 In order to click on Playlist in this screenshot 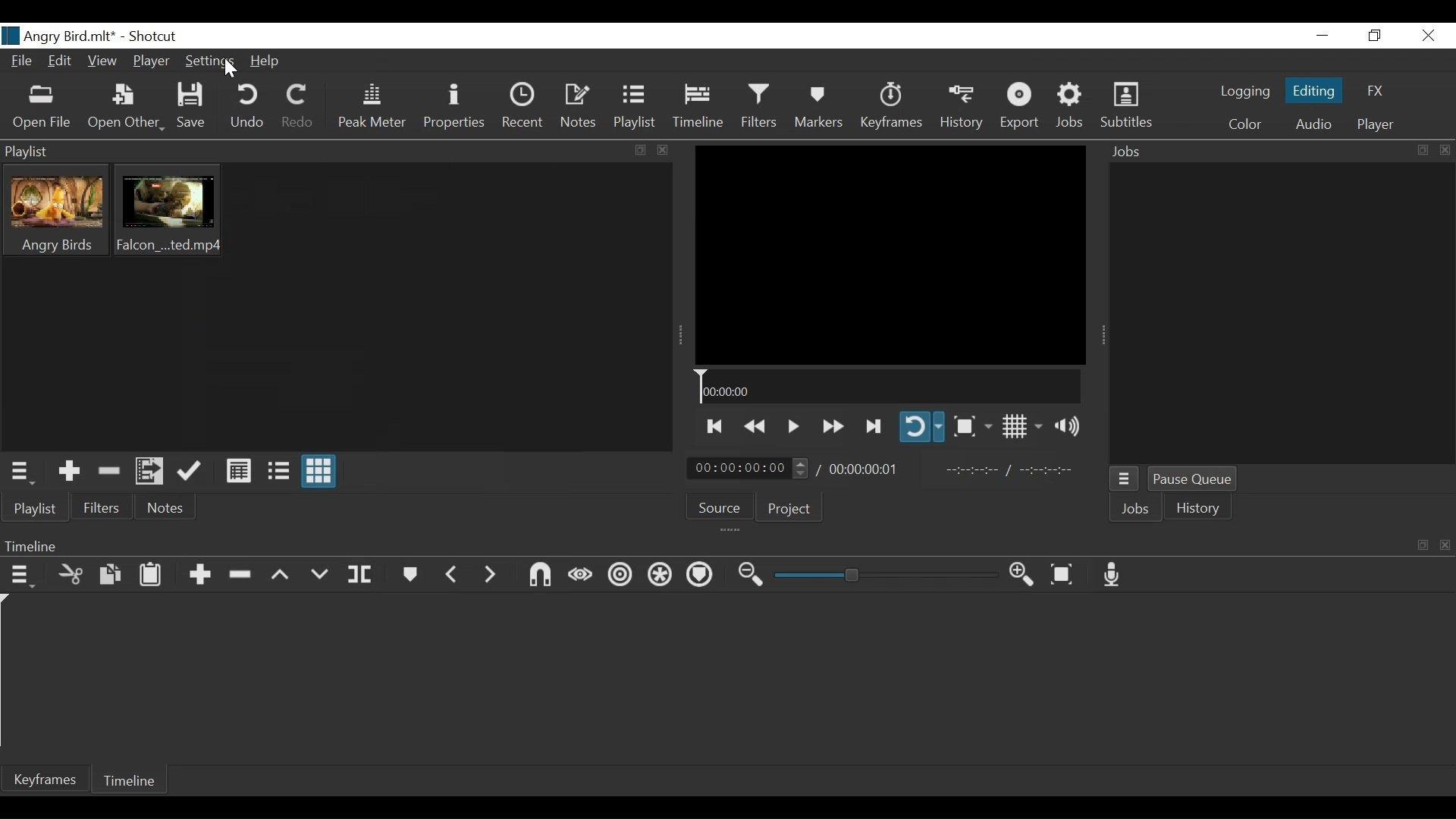, I will do `click(38, 510)`.